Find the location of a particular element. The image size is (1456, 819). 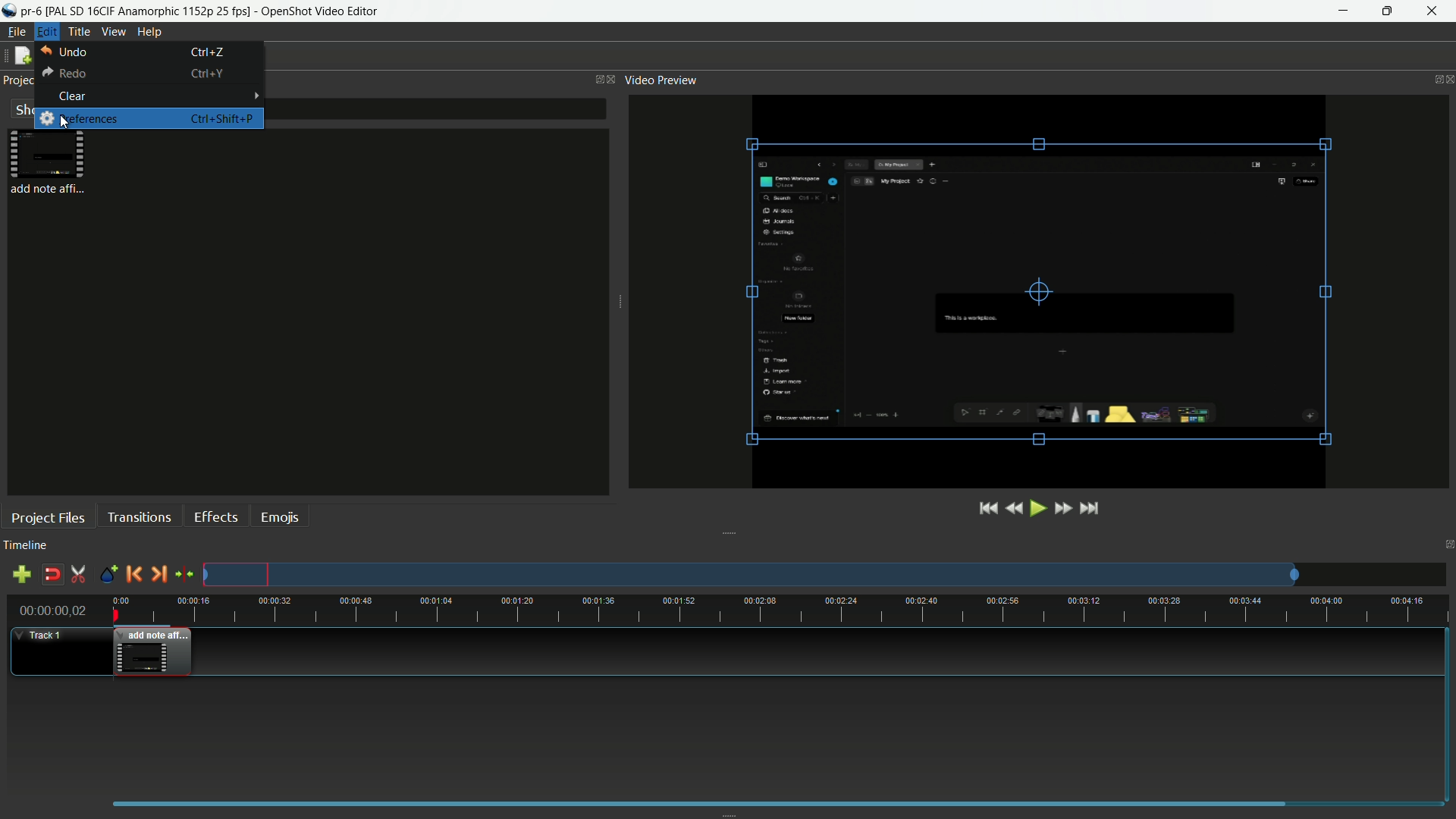

jump to end is located at coordinates (1093, 508).